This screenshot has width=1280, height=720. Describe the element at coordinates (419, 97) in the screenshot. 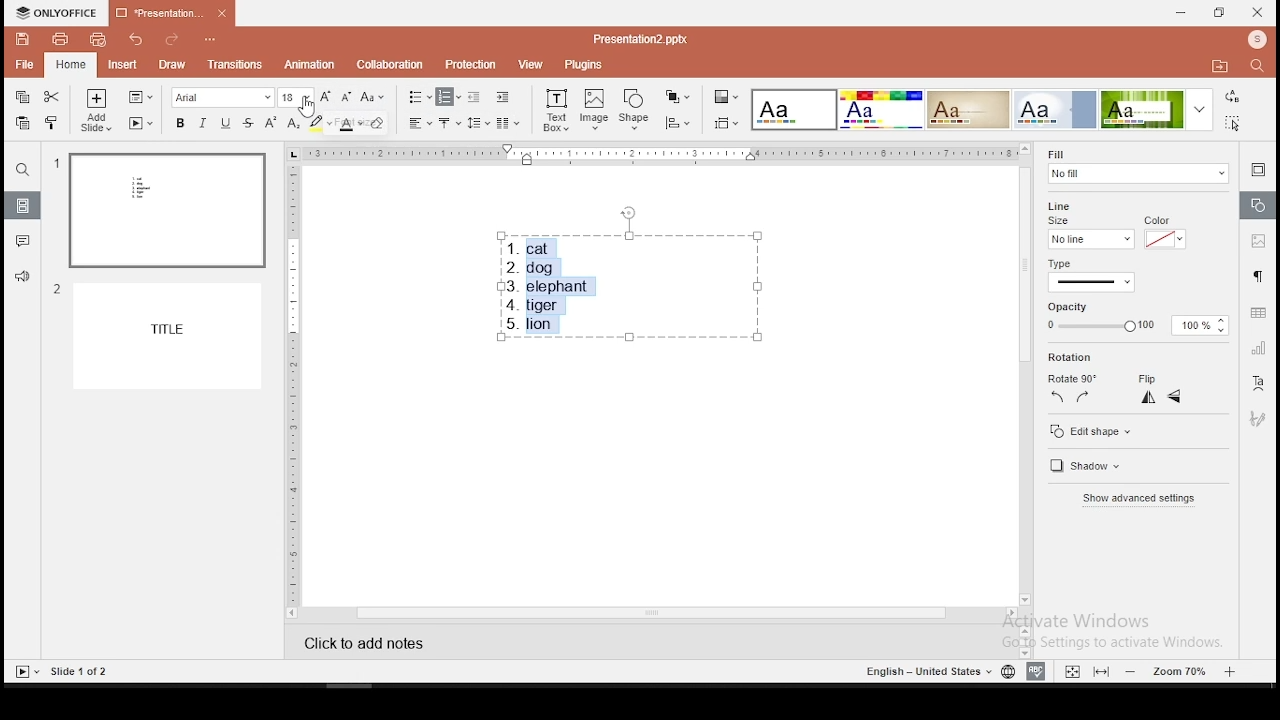

I see `bullets` at that location.